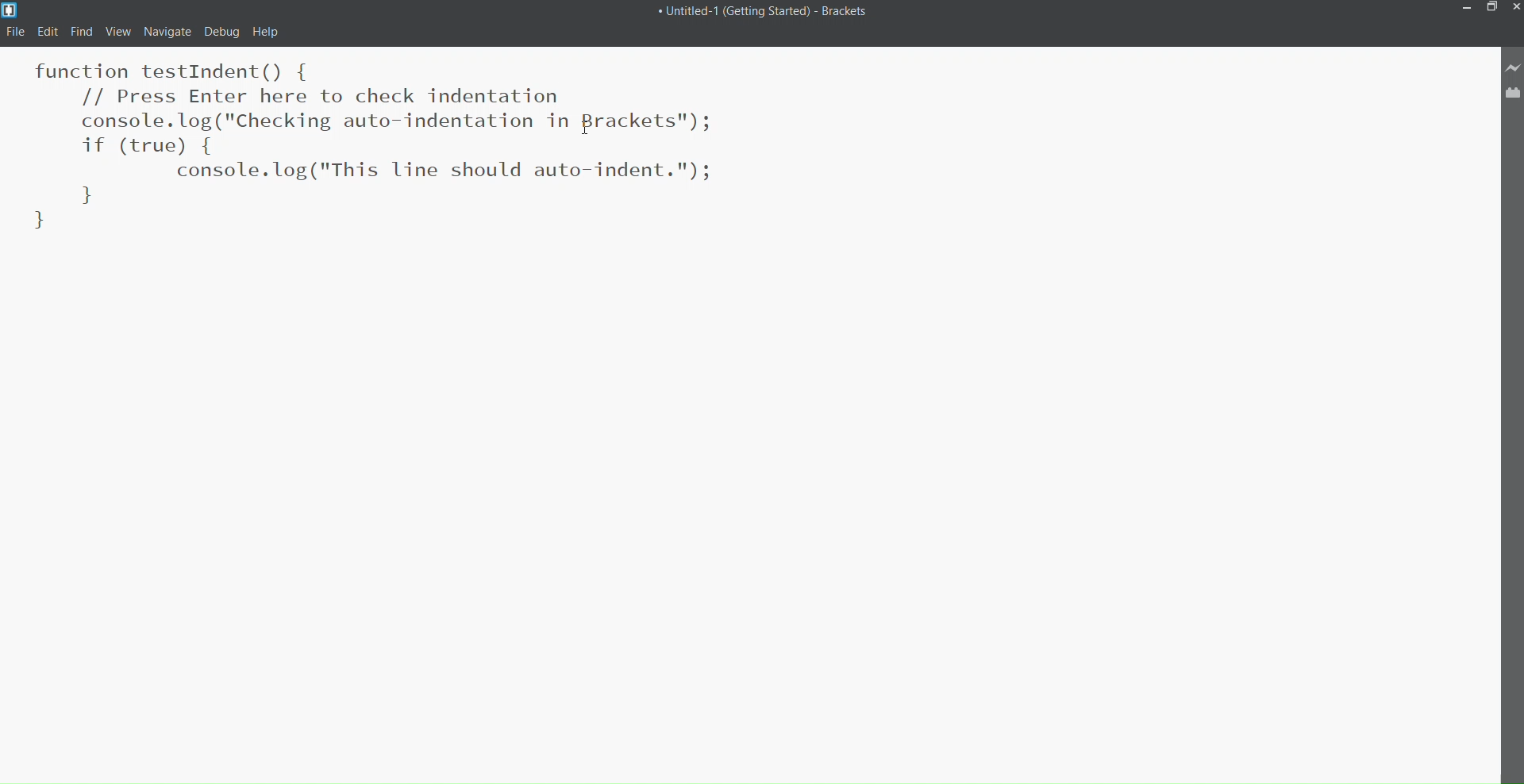  What do you see at coordinates (1464, 9) in the screenshot?
I see `Minimize` at bounding box center [1464, 9].